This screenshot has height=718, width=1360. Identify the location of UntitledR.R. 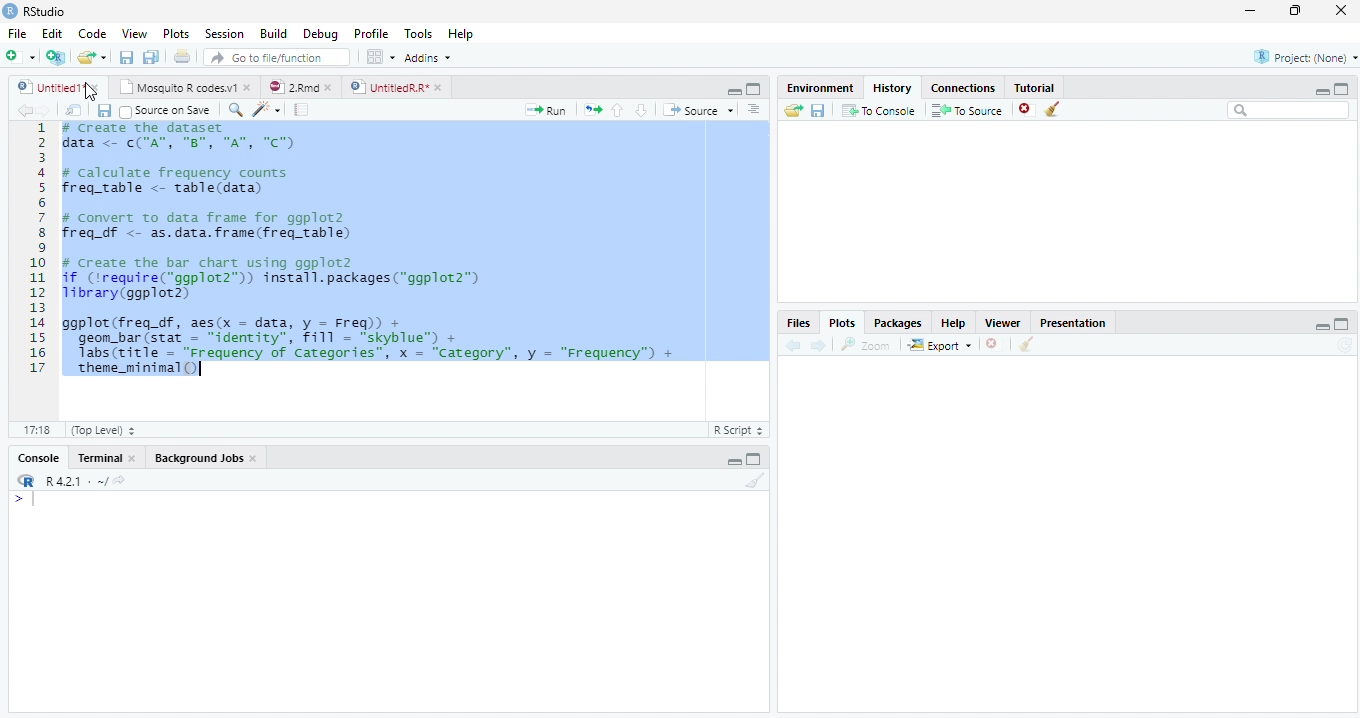
(396, 86).